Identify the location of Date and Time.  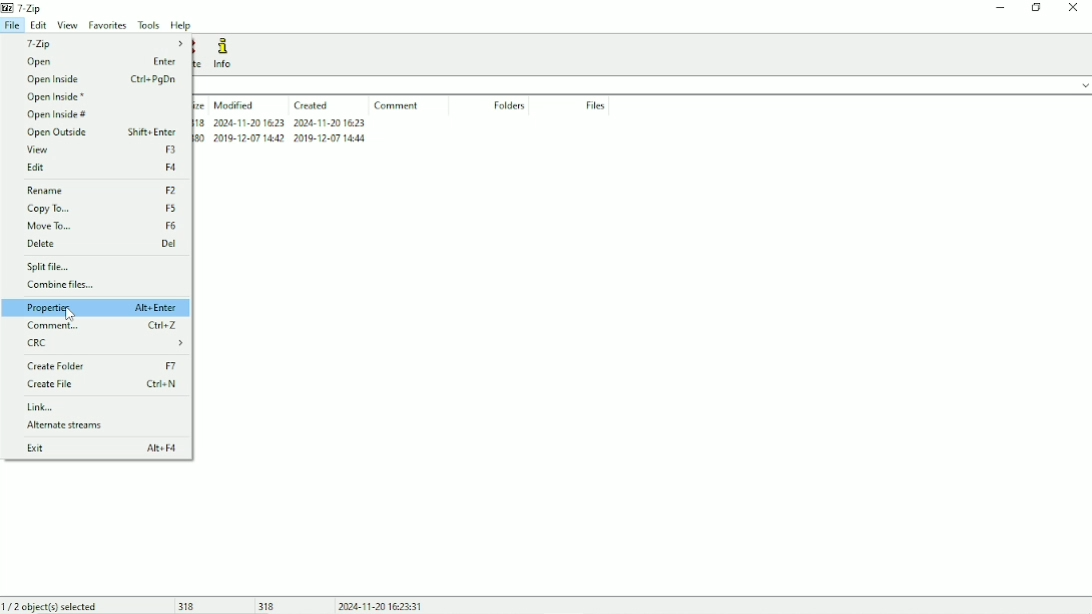
(384, 605).